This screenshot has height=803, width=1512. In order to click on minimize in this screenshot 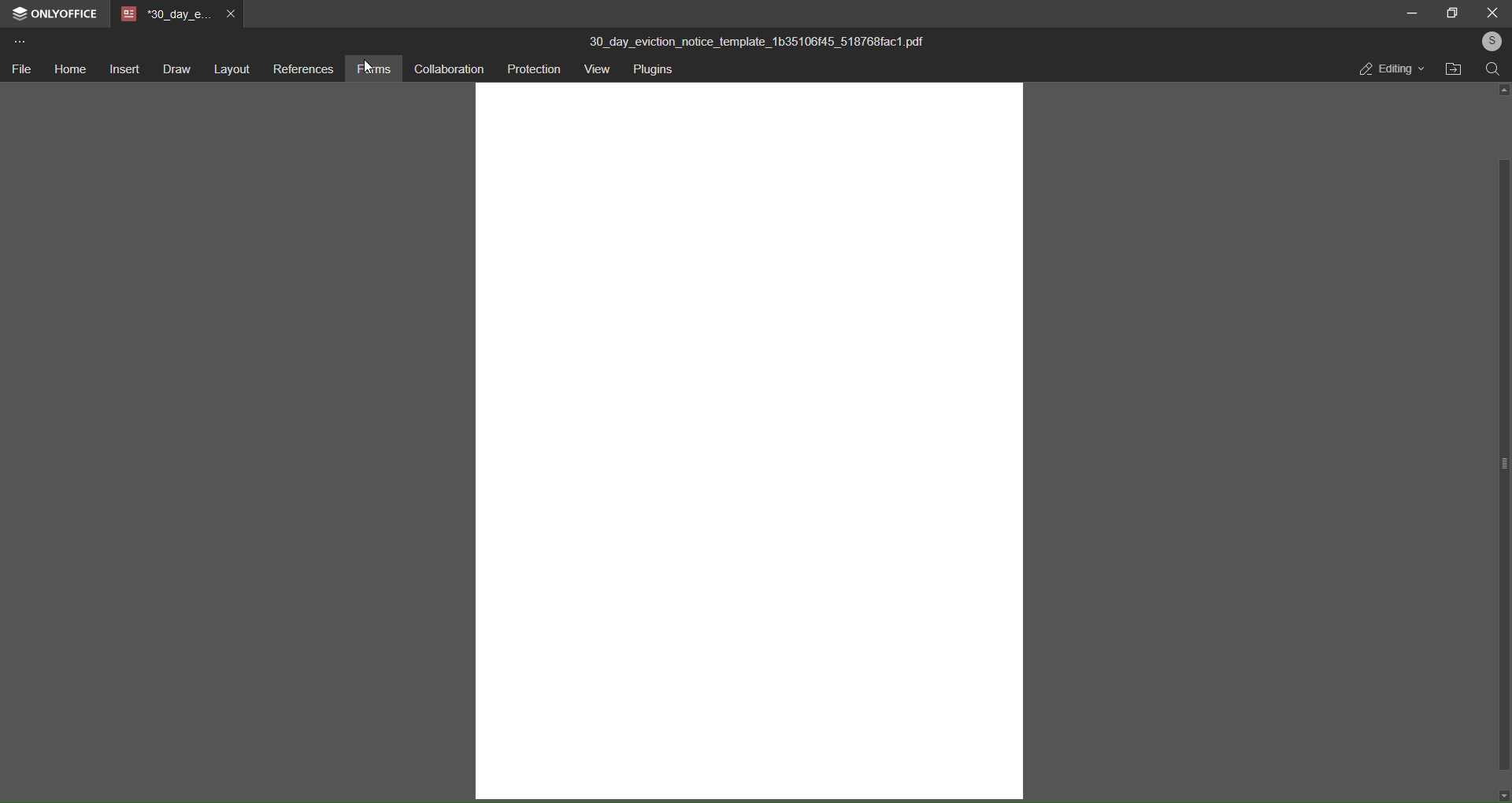, I will do `click(1410, 14)`.